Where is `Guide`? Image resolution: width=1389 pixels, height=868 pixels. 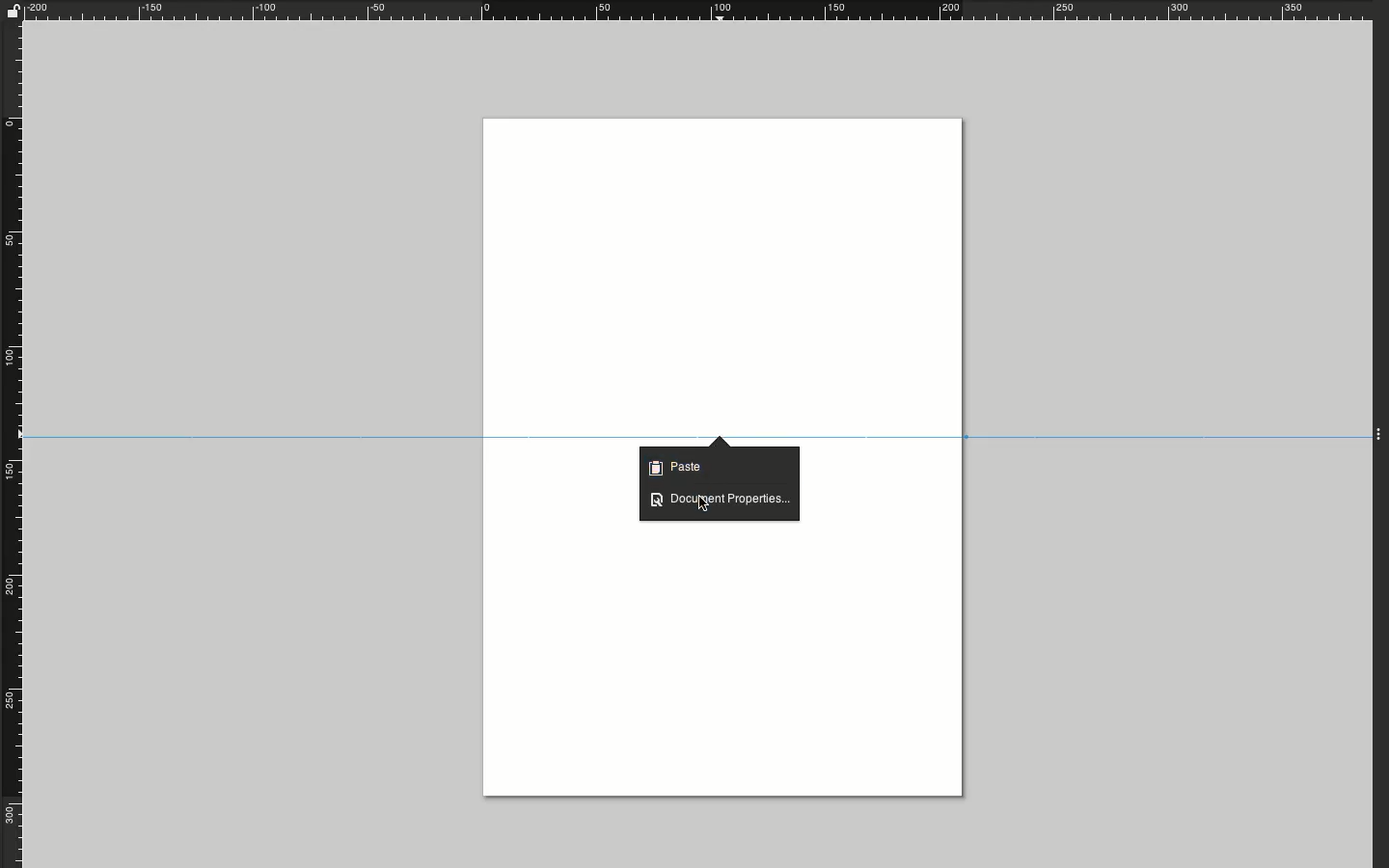 Guide is located at coordinates (696, 435).